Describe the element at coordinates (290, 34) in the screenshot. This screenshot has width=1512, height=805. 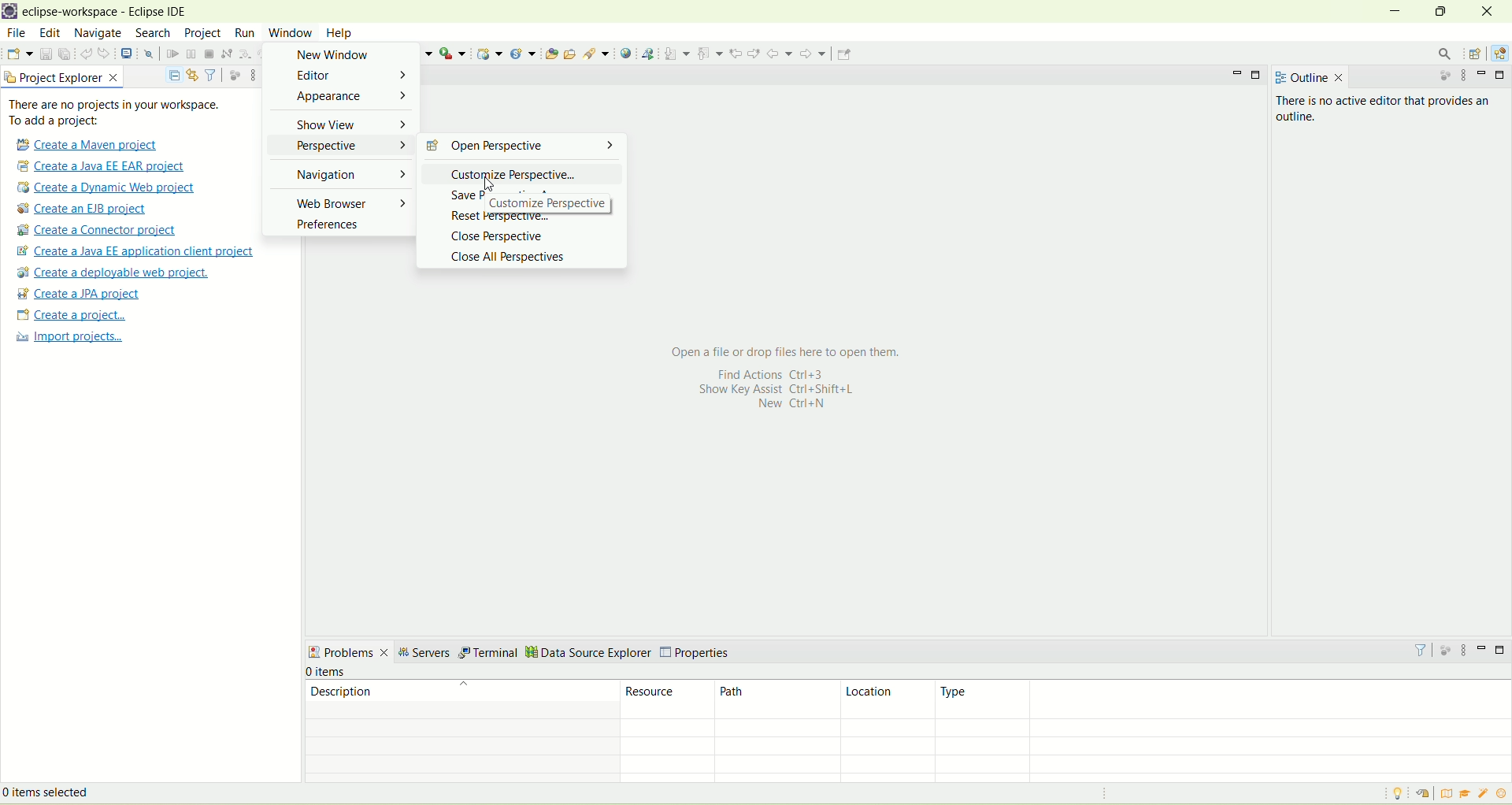
I see `window` at that location.